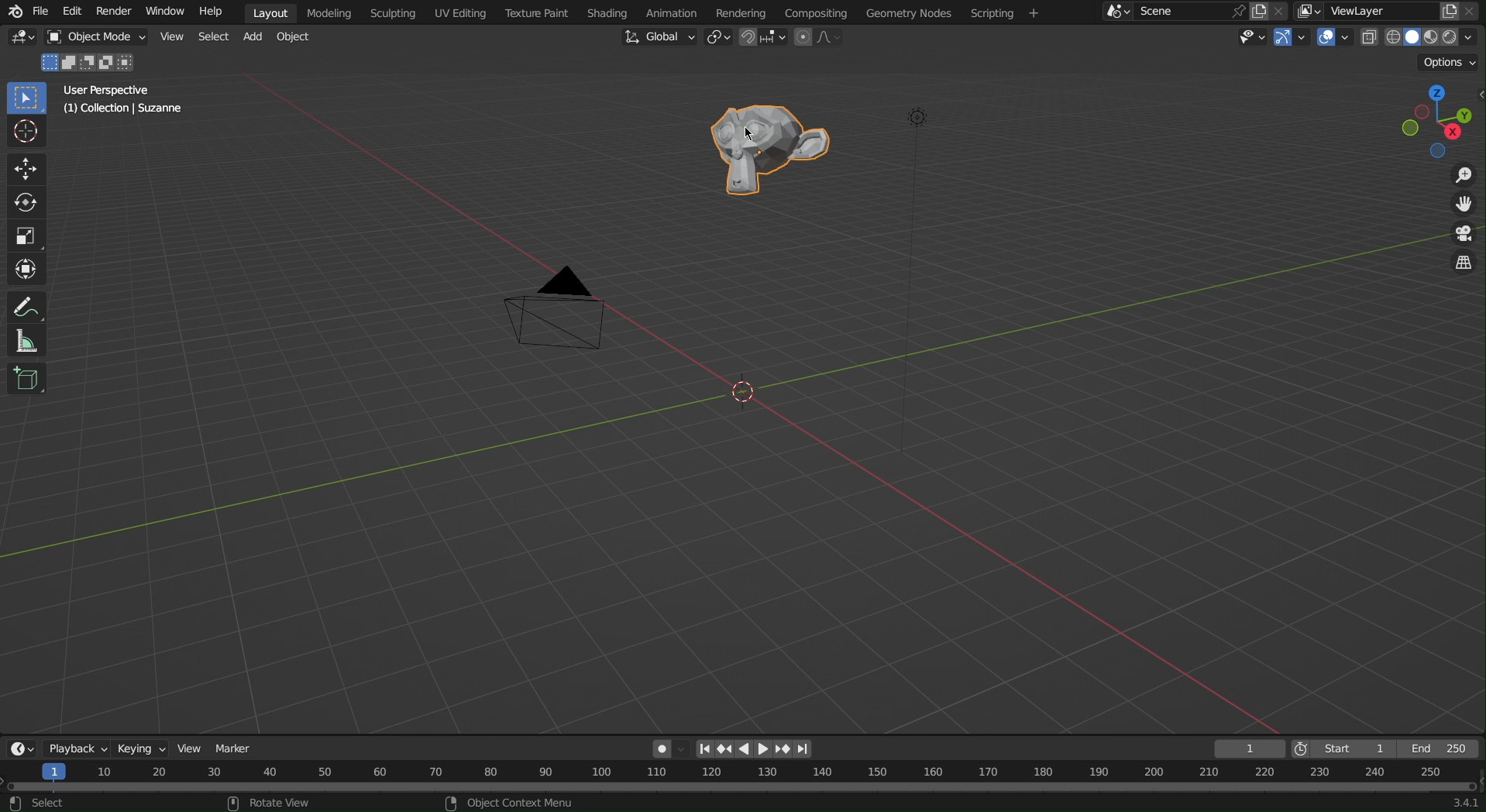 The height and width of the screenshot is (812, 1486). I want to click on viewLayer dropdown, so click(1310, 12).